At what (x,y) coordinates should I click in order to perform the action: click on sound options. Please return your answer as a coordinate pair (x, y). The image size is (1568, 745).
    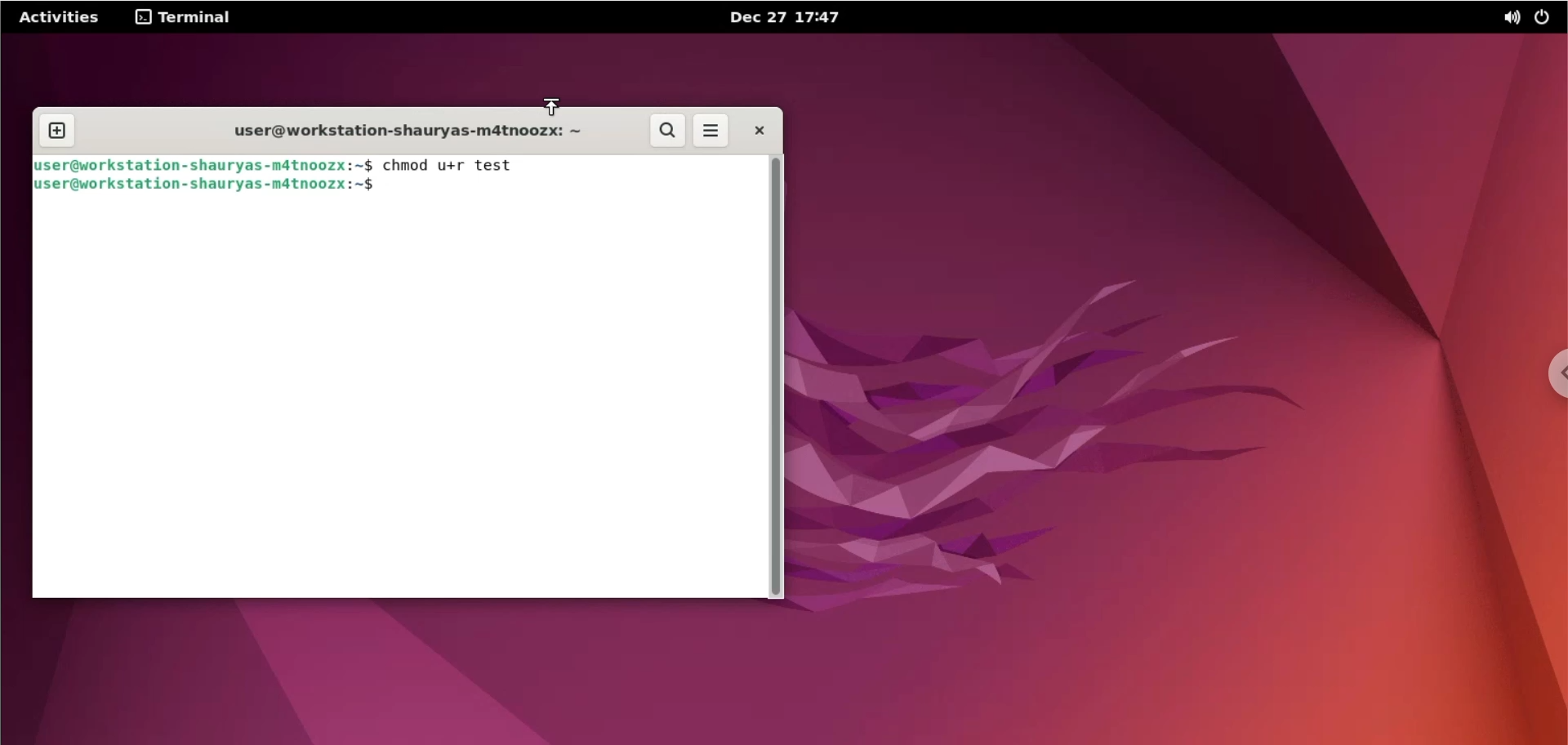
    Looking at the image, I should click on (1508, 16).